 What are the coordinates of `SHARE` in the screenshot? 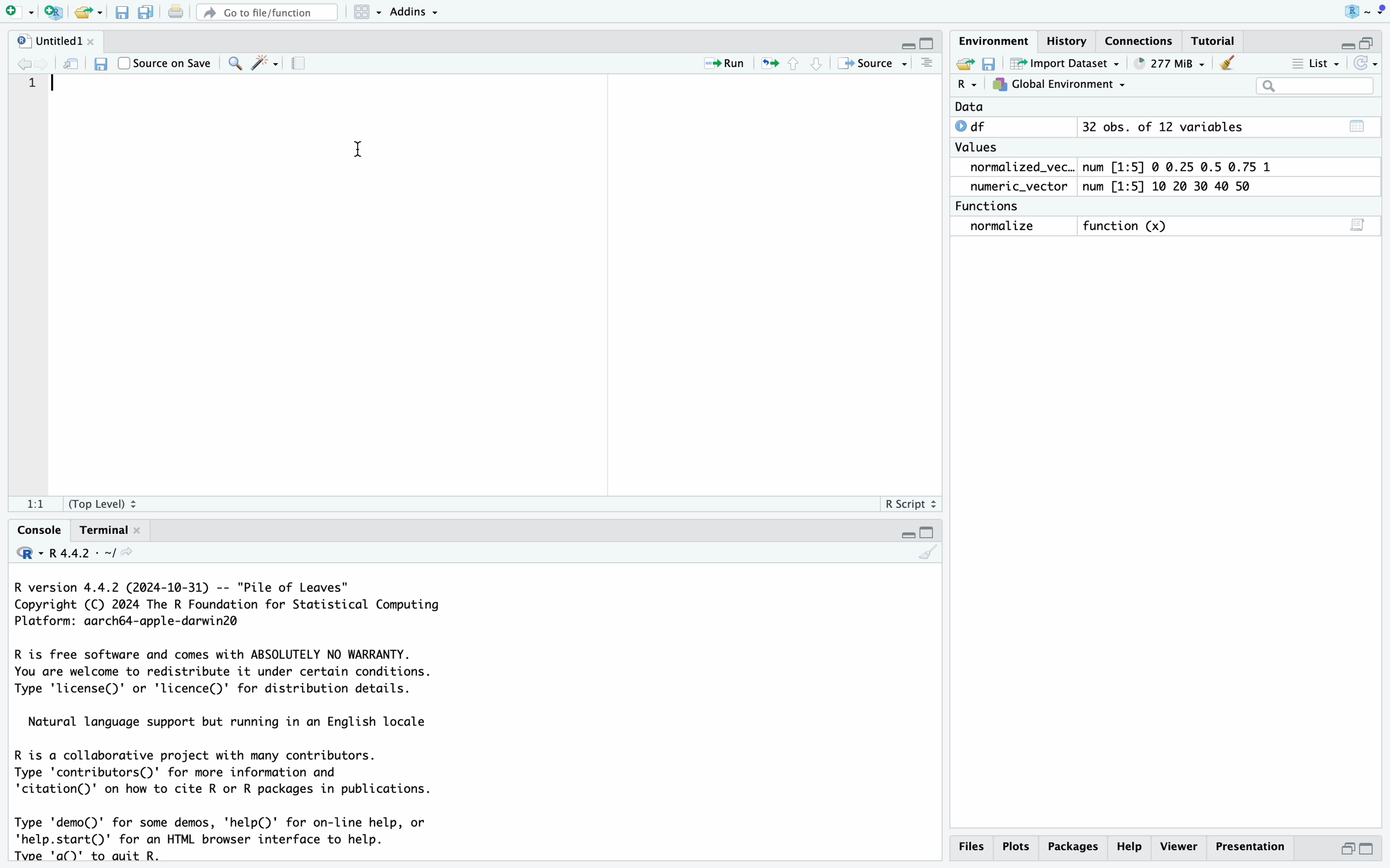 It's located at (963, 64).